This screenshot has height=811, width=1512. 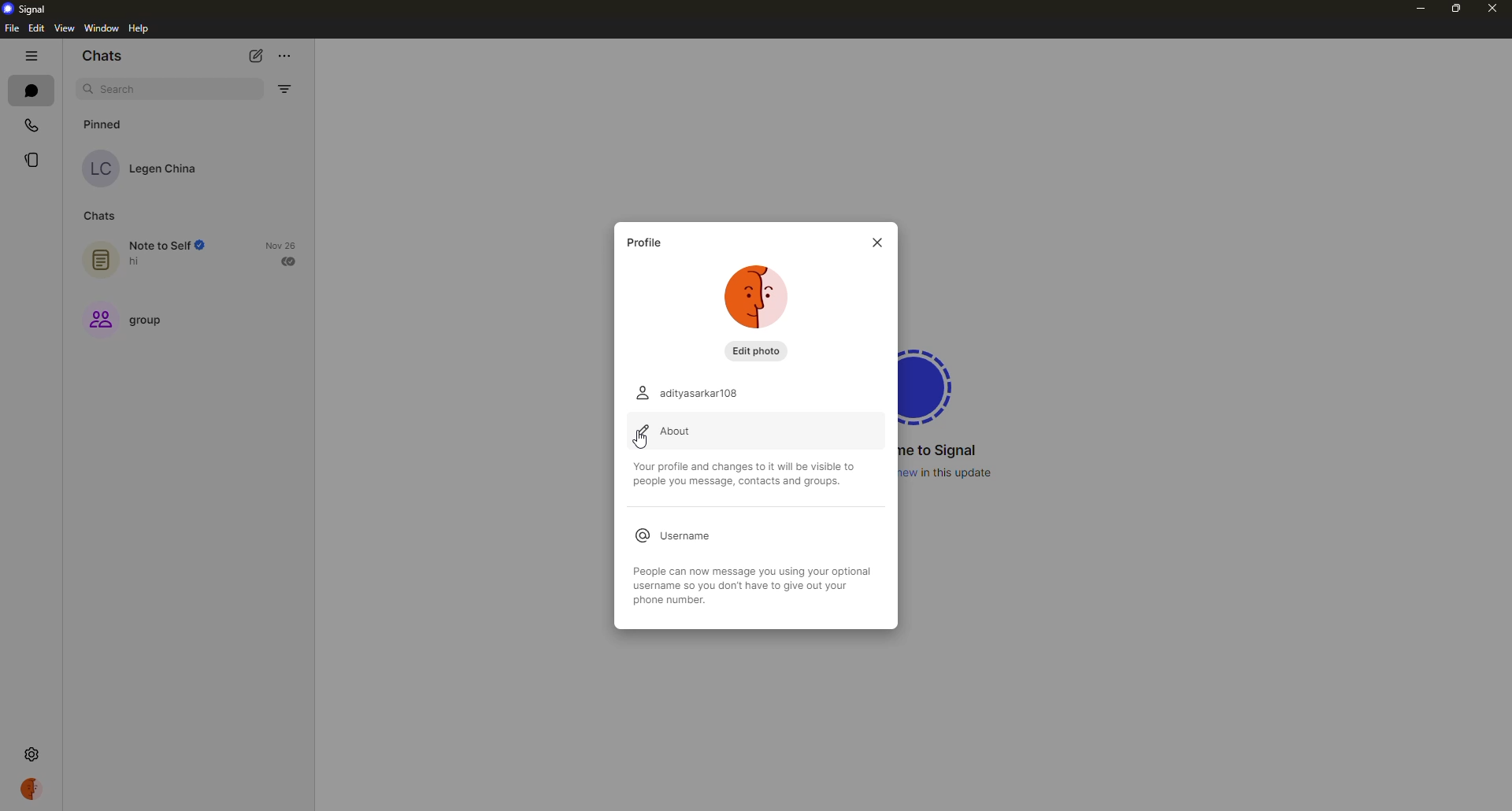 What do you see at coordinates (34, 124) in the screenshot?
I see `calls` at bounding box center [34, 124].